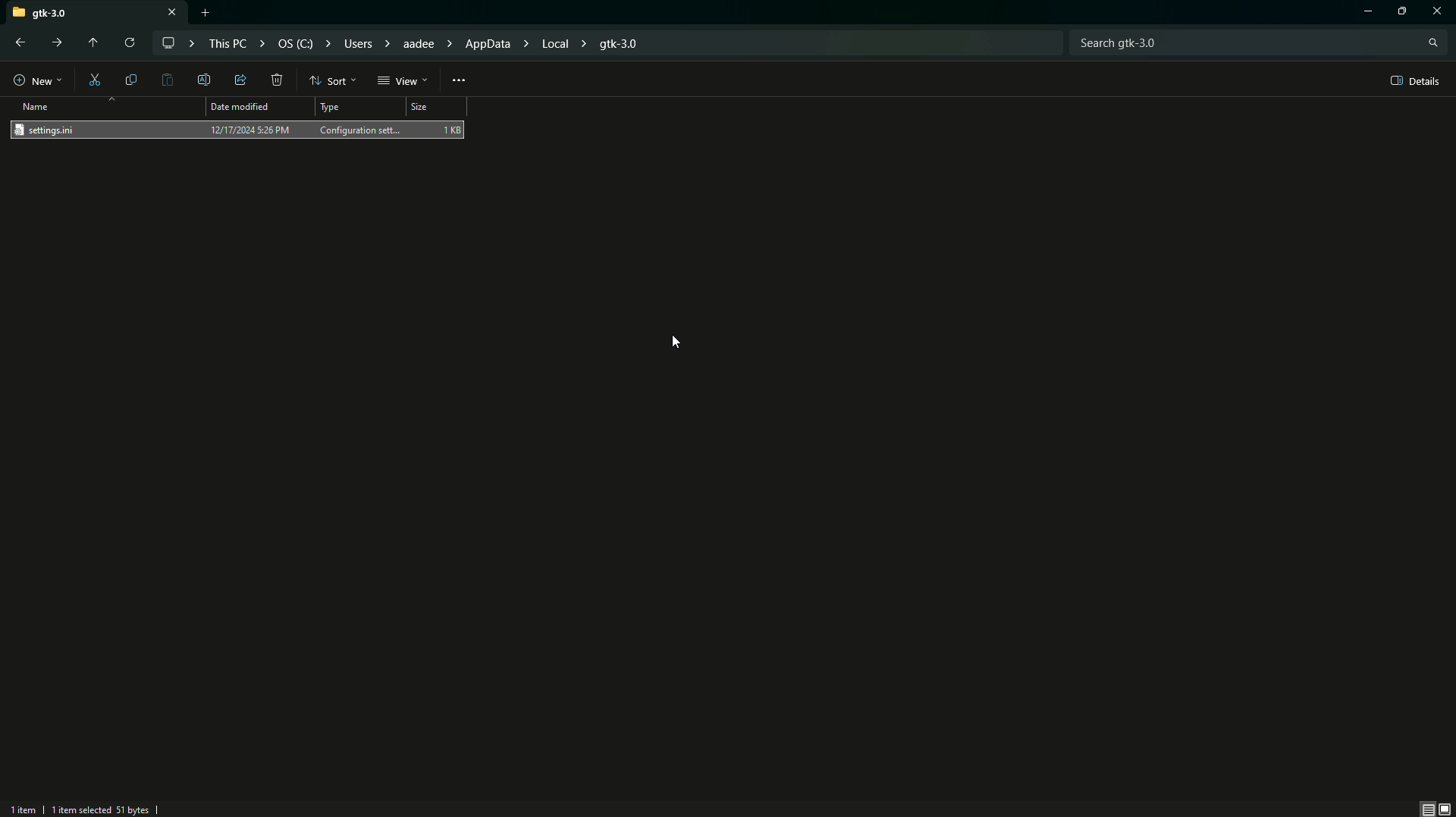 The image size is (1456, 817). What do you see at coordinates (278, 81) in the screenshot?
I see `Delete` at bounding box center [278, 81].